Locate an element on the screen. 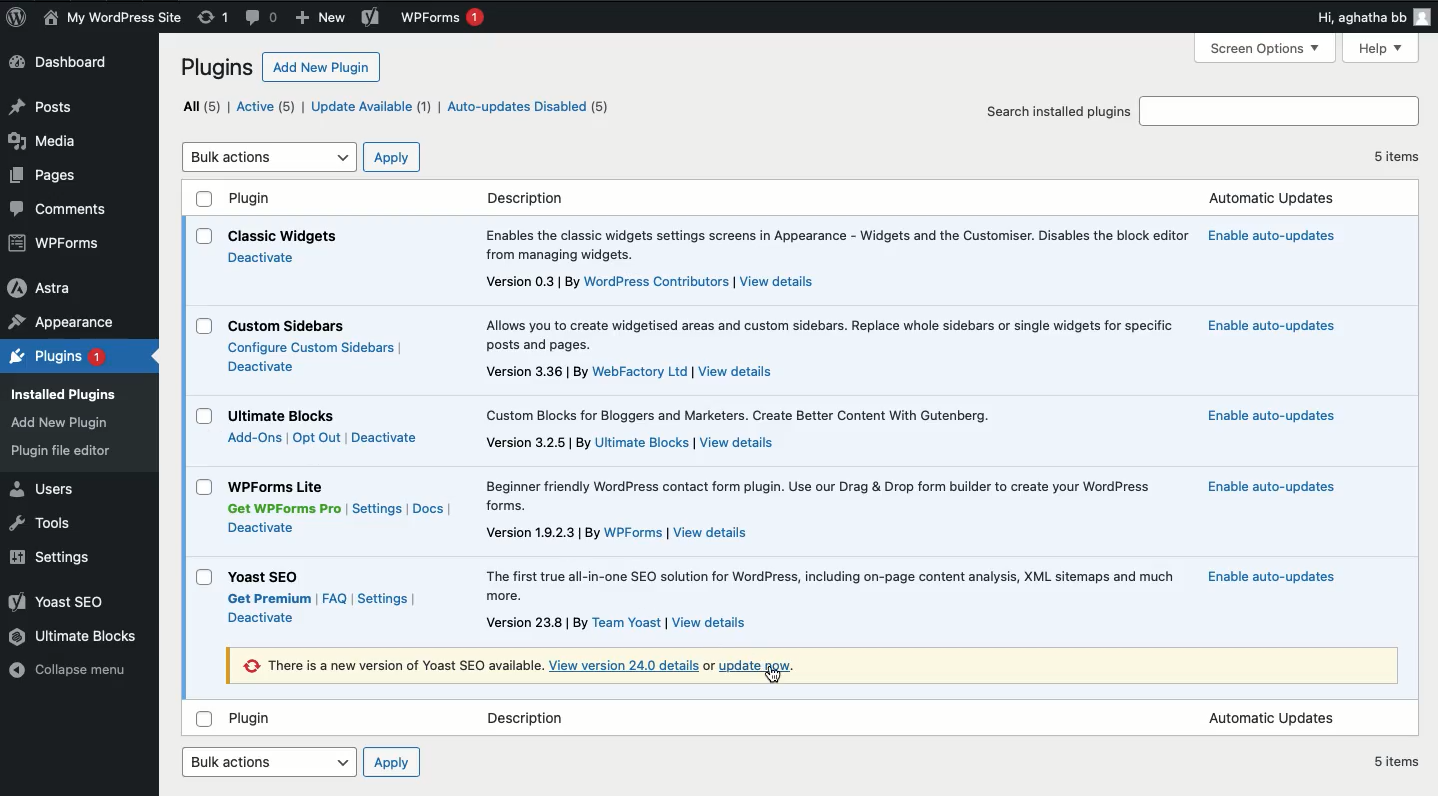  Comments is located at coordinates (261, 17).